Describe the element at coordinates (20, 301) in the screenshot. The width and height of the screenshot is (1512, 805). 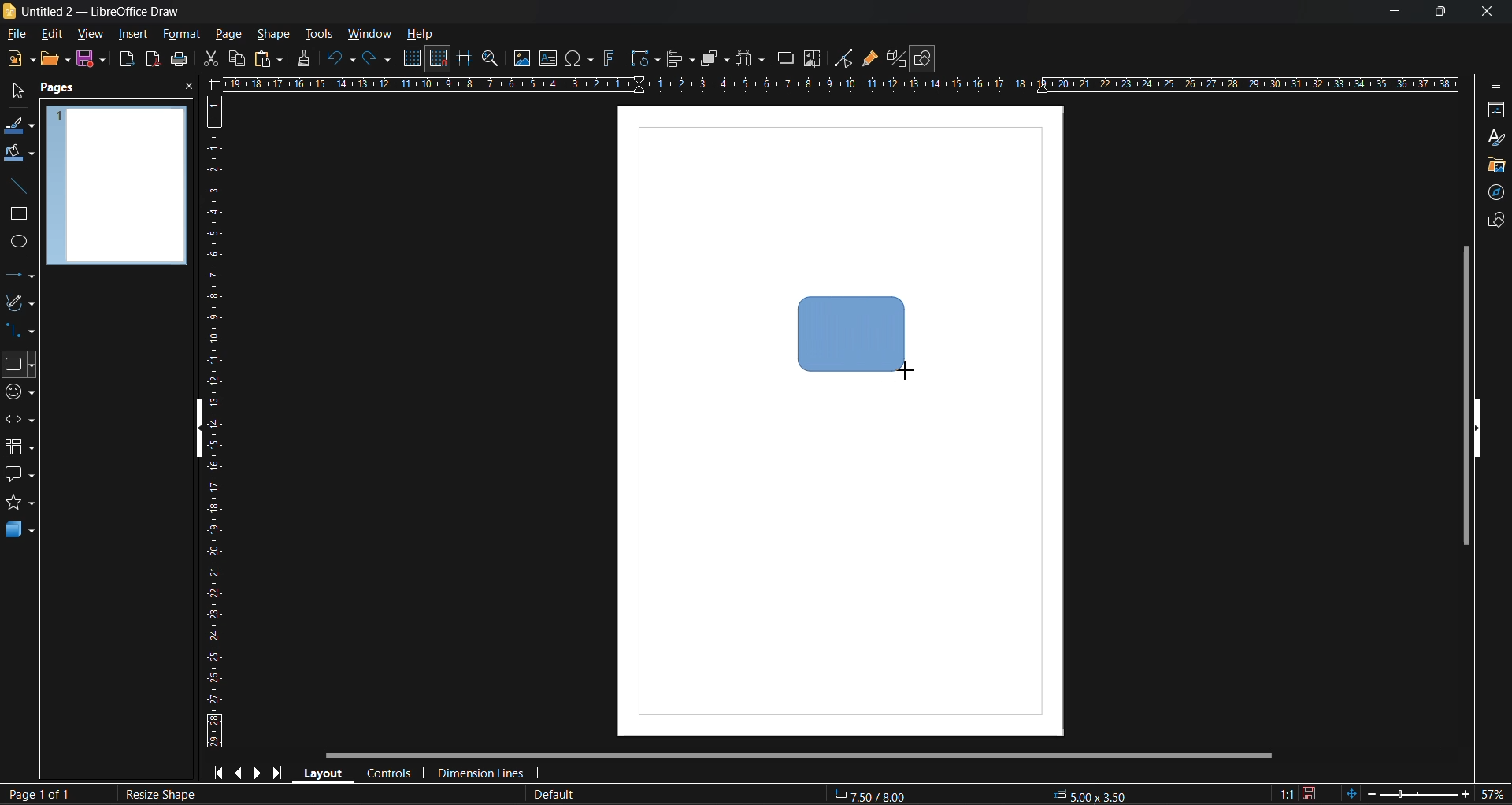
I see `curves and polygons` at that location.